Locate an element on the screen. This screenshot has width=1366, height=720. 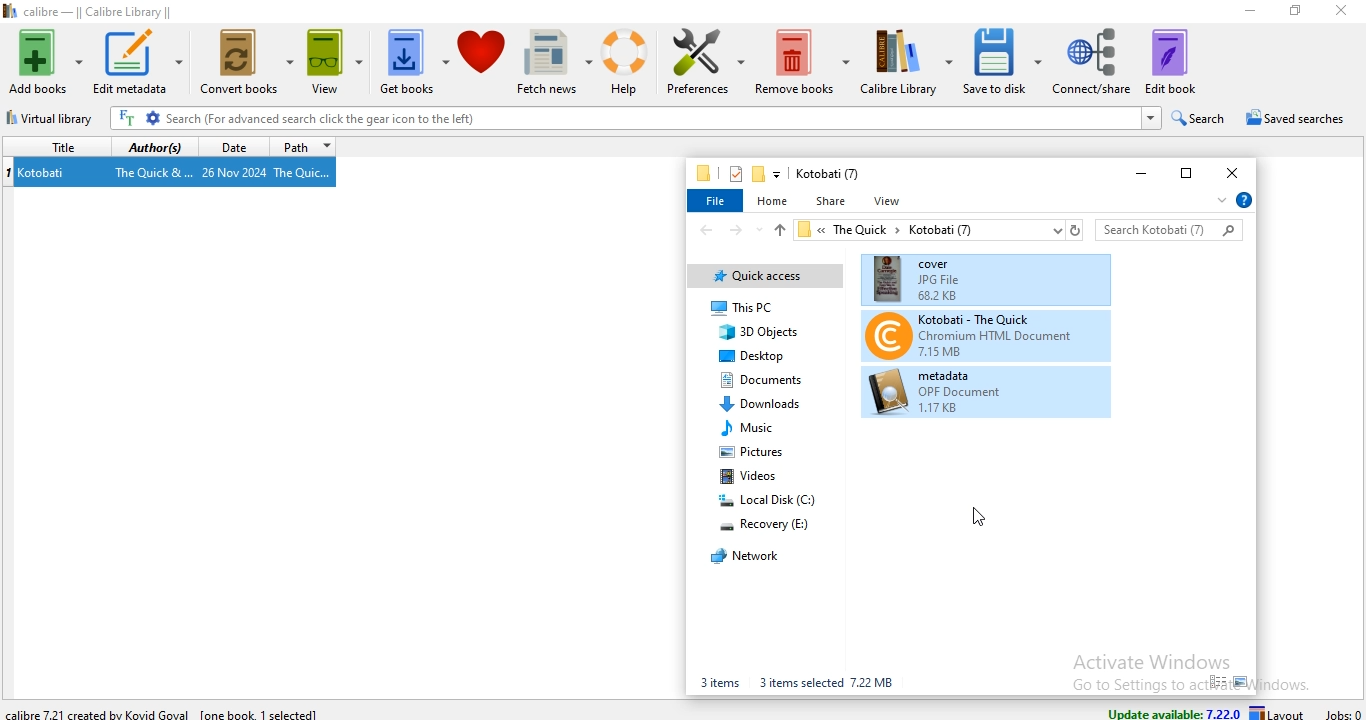
connect/share is located at coordinates (1092, 61).